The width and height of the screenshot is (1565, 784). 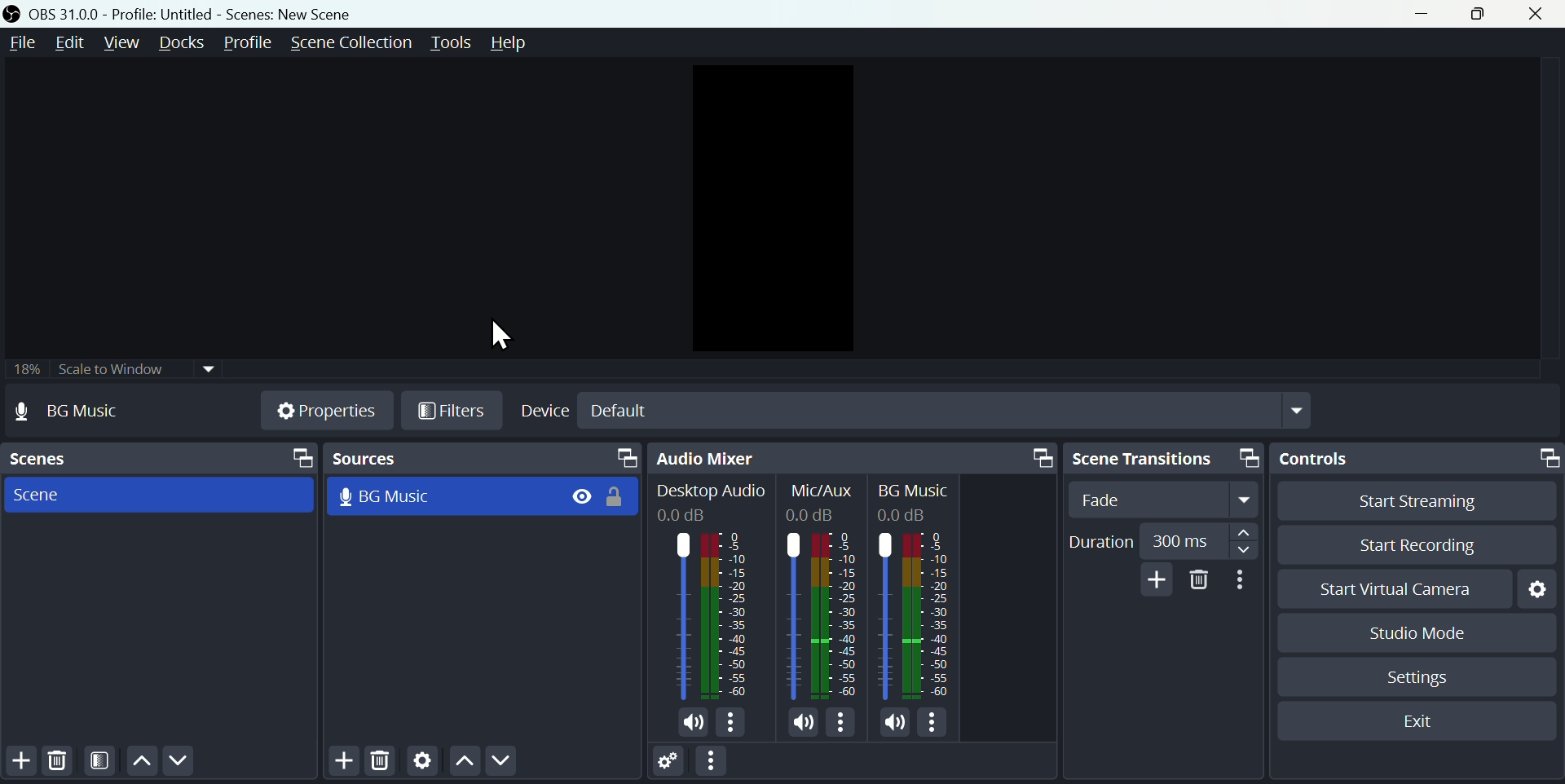 I want to click on Unlock, so click(x=619, y=499).